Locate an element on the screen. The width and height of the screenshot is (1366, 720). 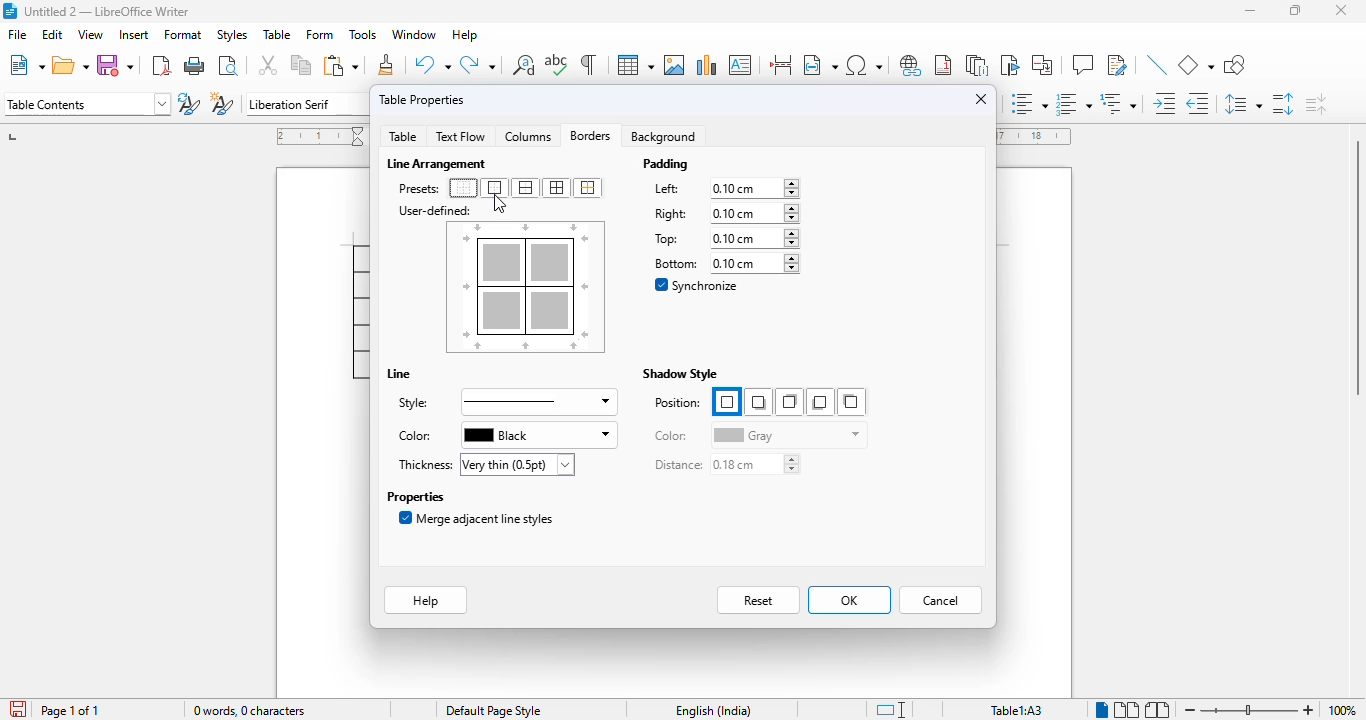
insert text box is located at coordinates (740, 65).